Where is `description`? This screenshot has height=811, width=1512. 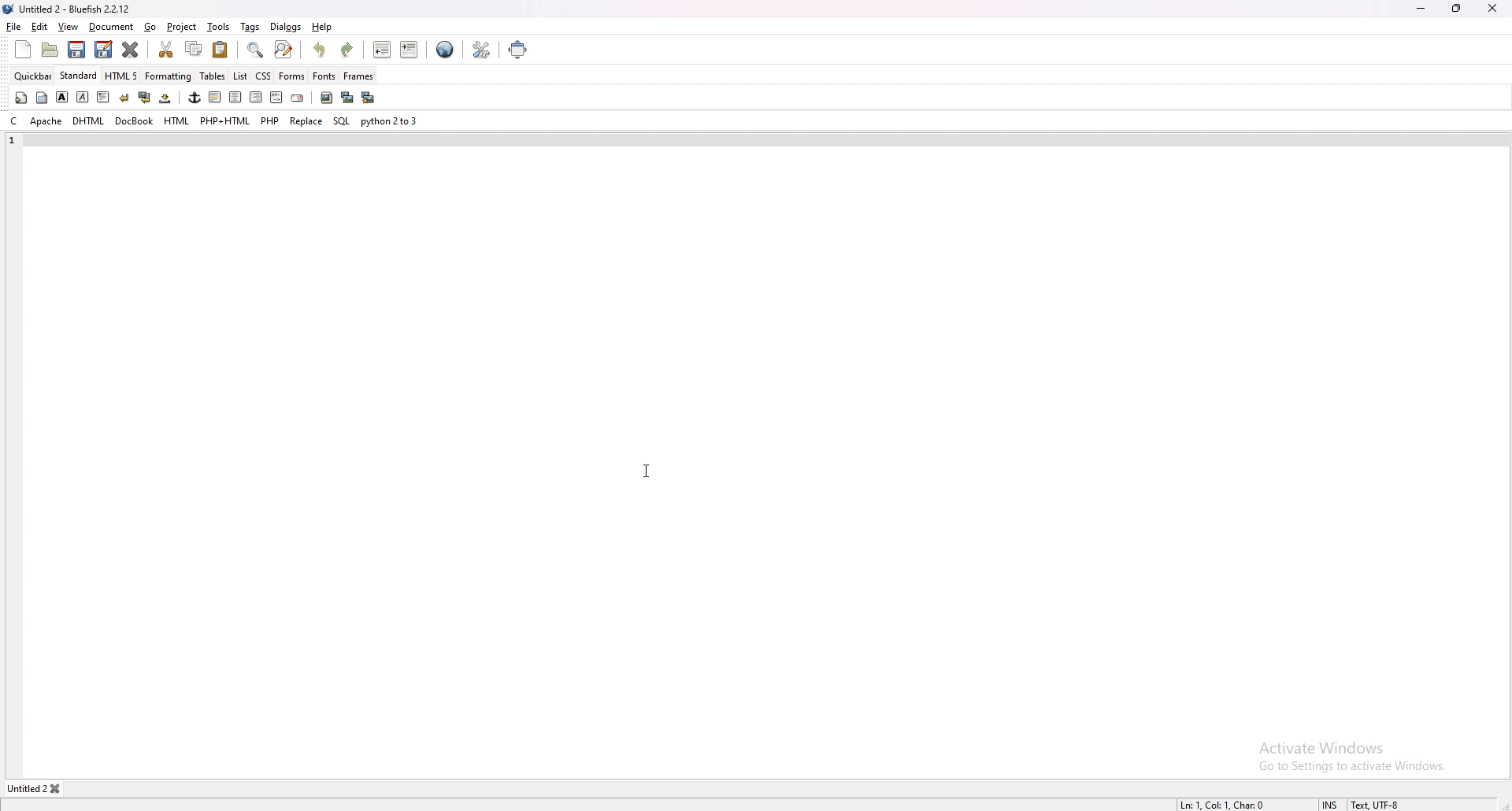 description is located at coordinates (1229, 802).